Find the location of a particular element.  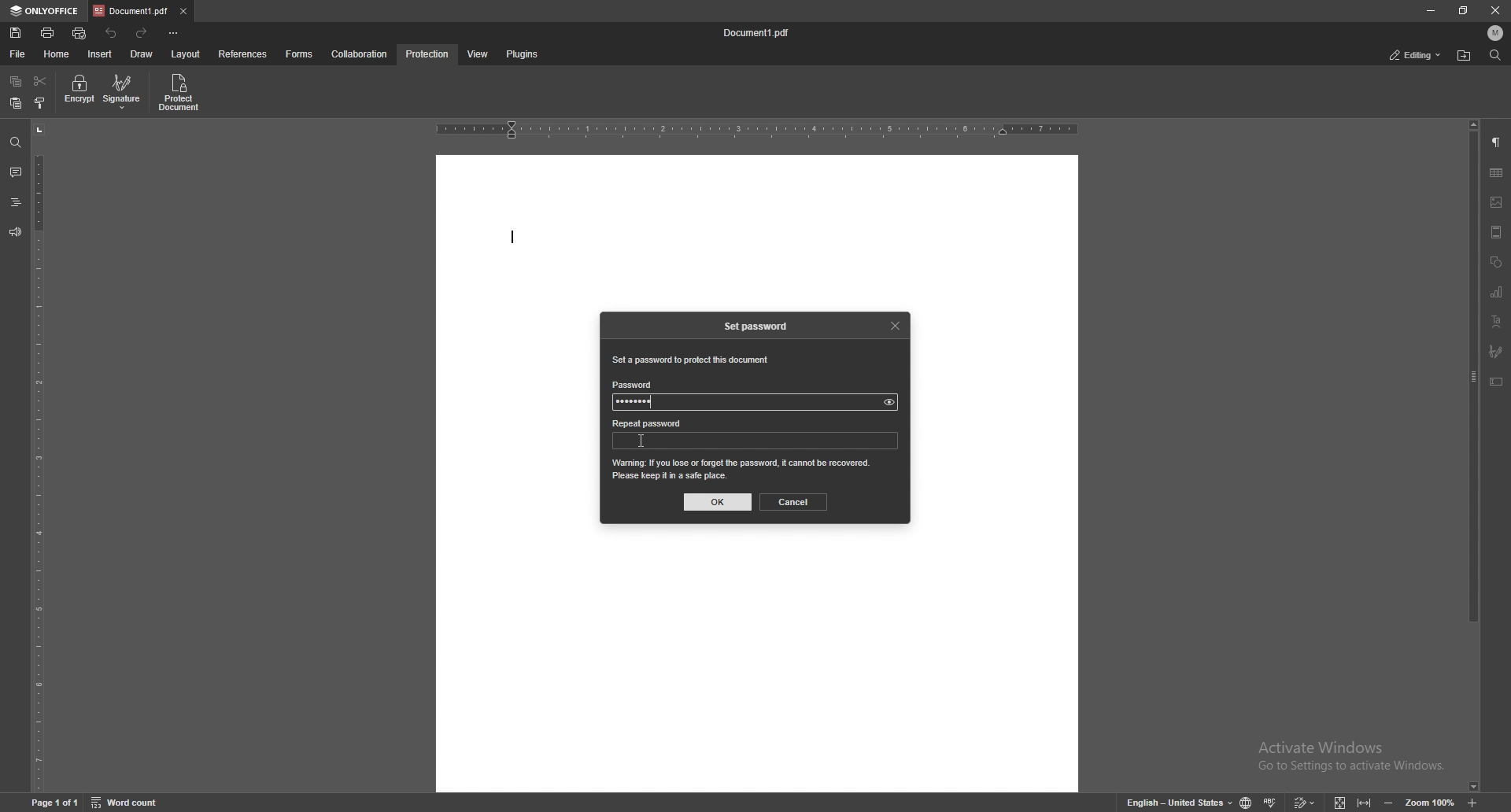

zoom is located at coordinates (1431, 802).